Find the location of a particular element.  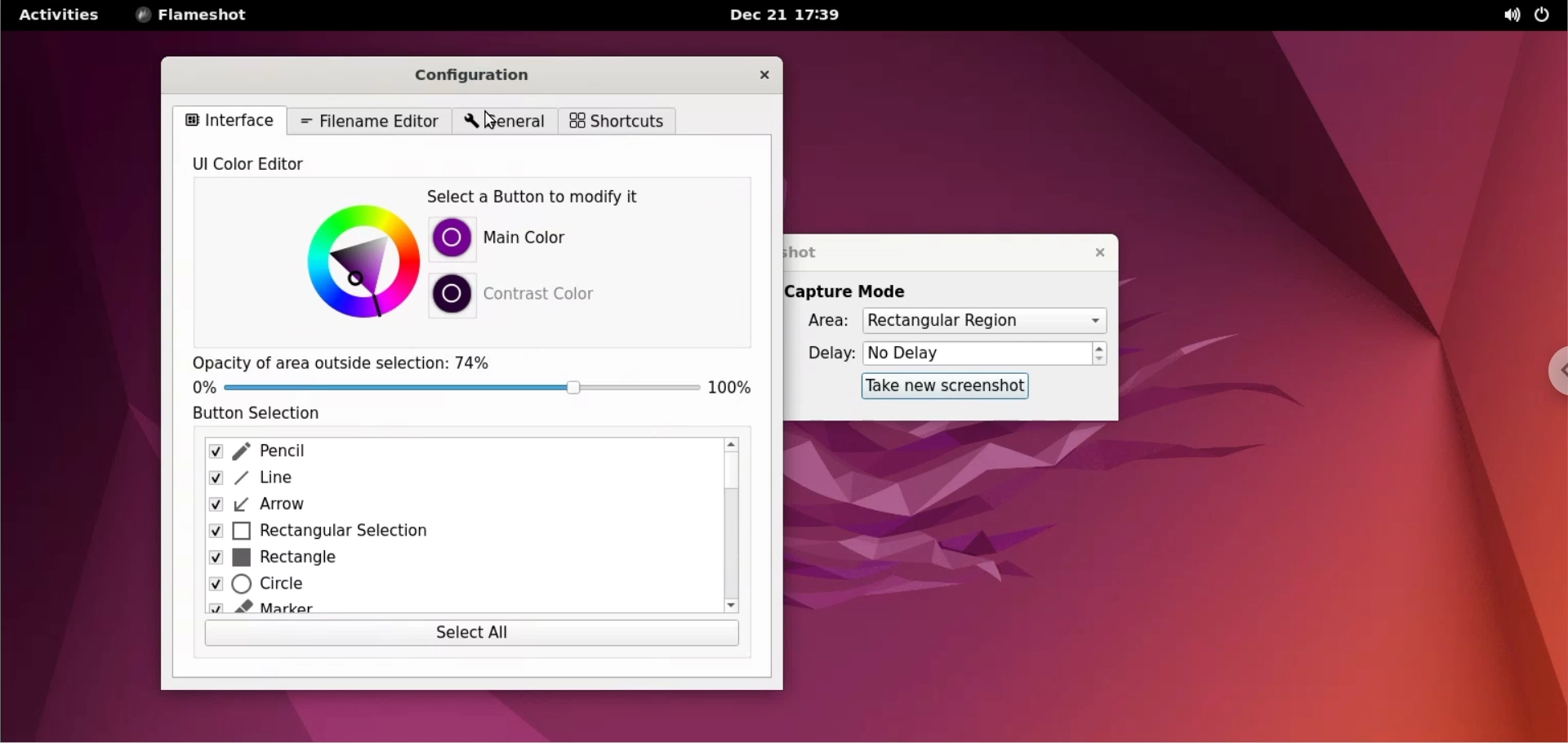

main color is located at coordinates (560, 240).